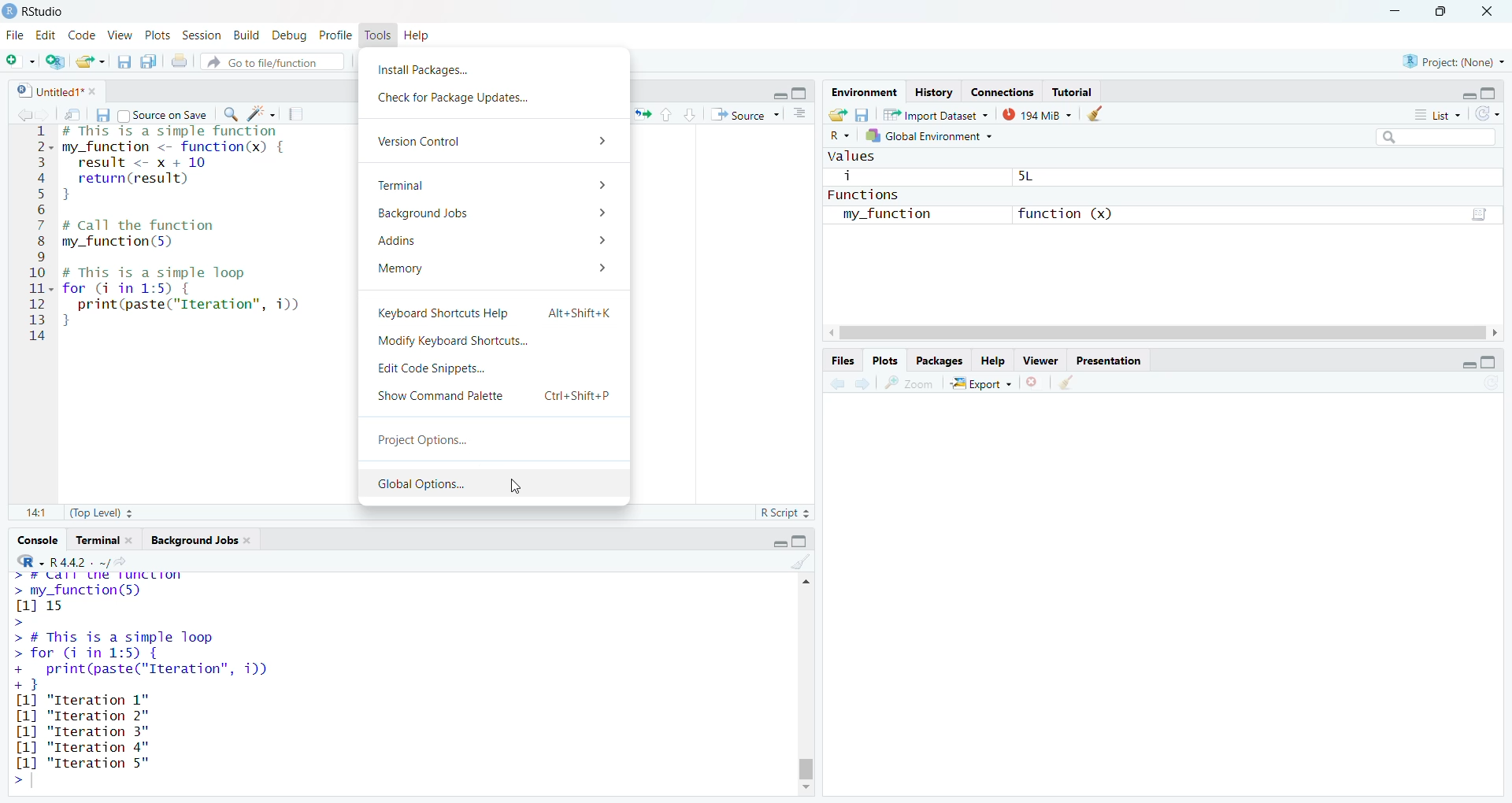 This screenshot has height=803, width=1512. I want to click on my_function, so click(891, 214).